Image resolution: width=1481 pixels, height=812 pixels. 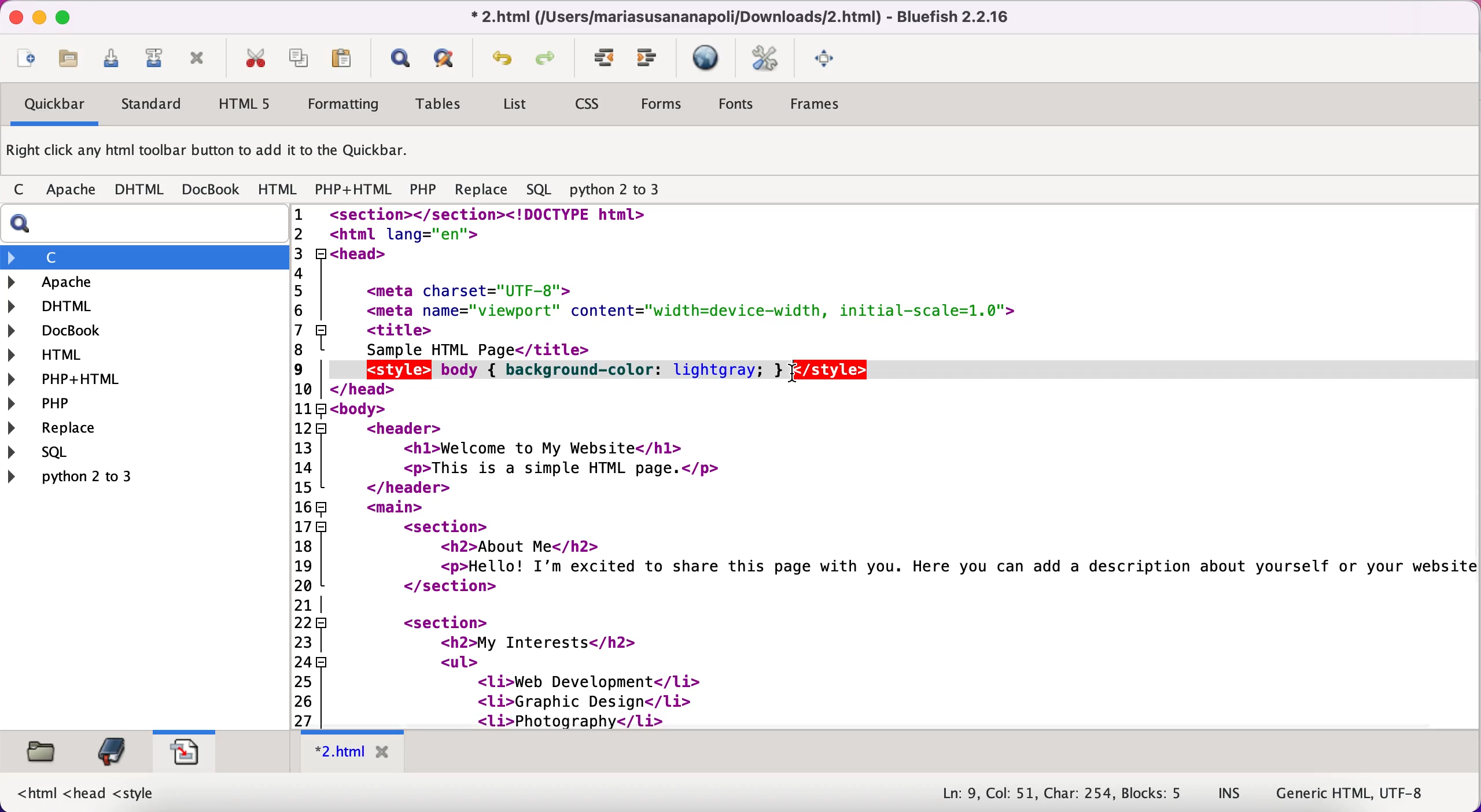 What do you see at coordinates (301, 57) in the screenshot?
I see `copy` at bounding box center [301, 57].